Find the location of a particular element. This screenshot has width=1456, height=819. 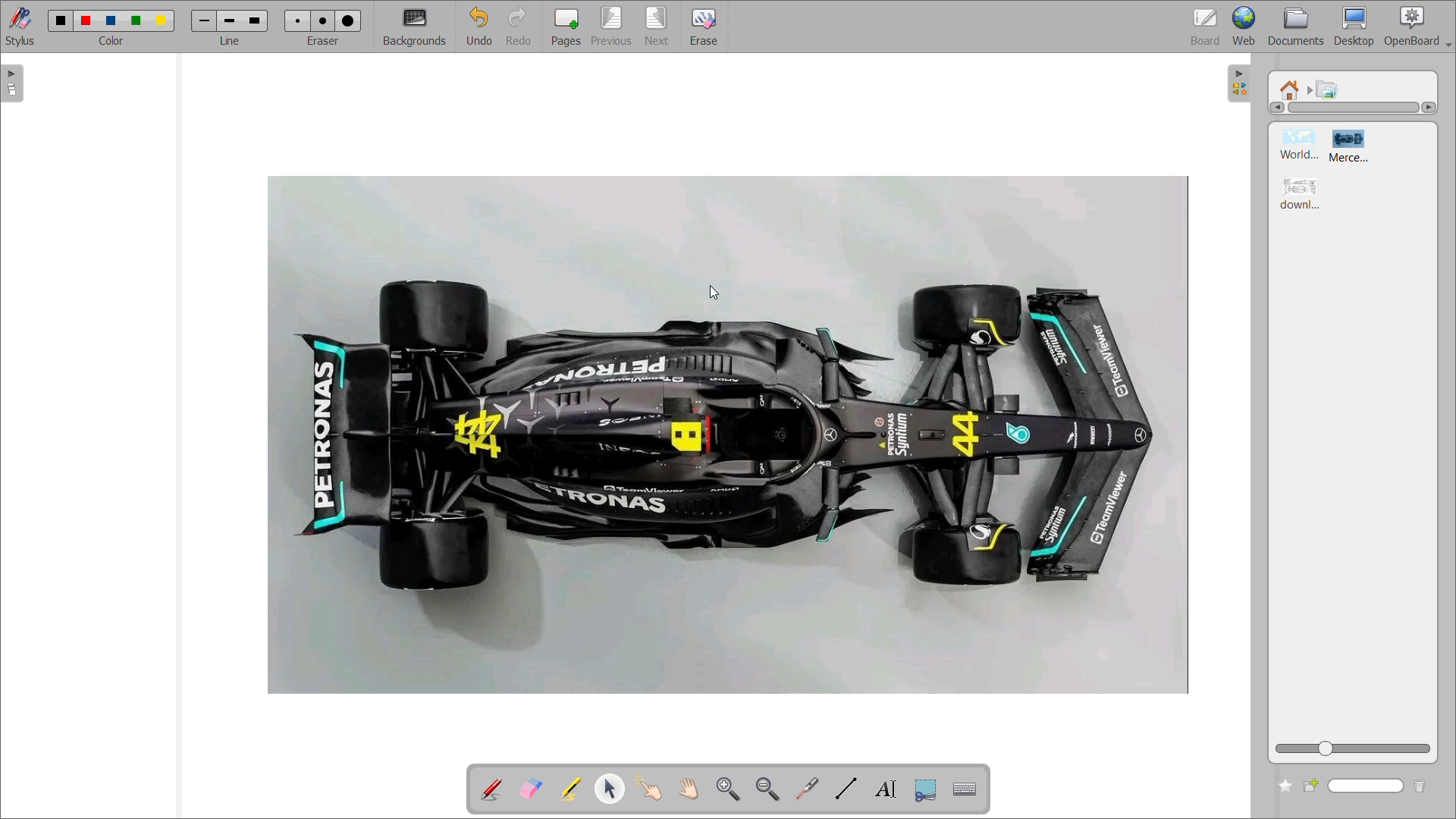

desktop is located at coordinates (1352, 26).